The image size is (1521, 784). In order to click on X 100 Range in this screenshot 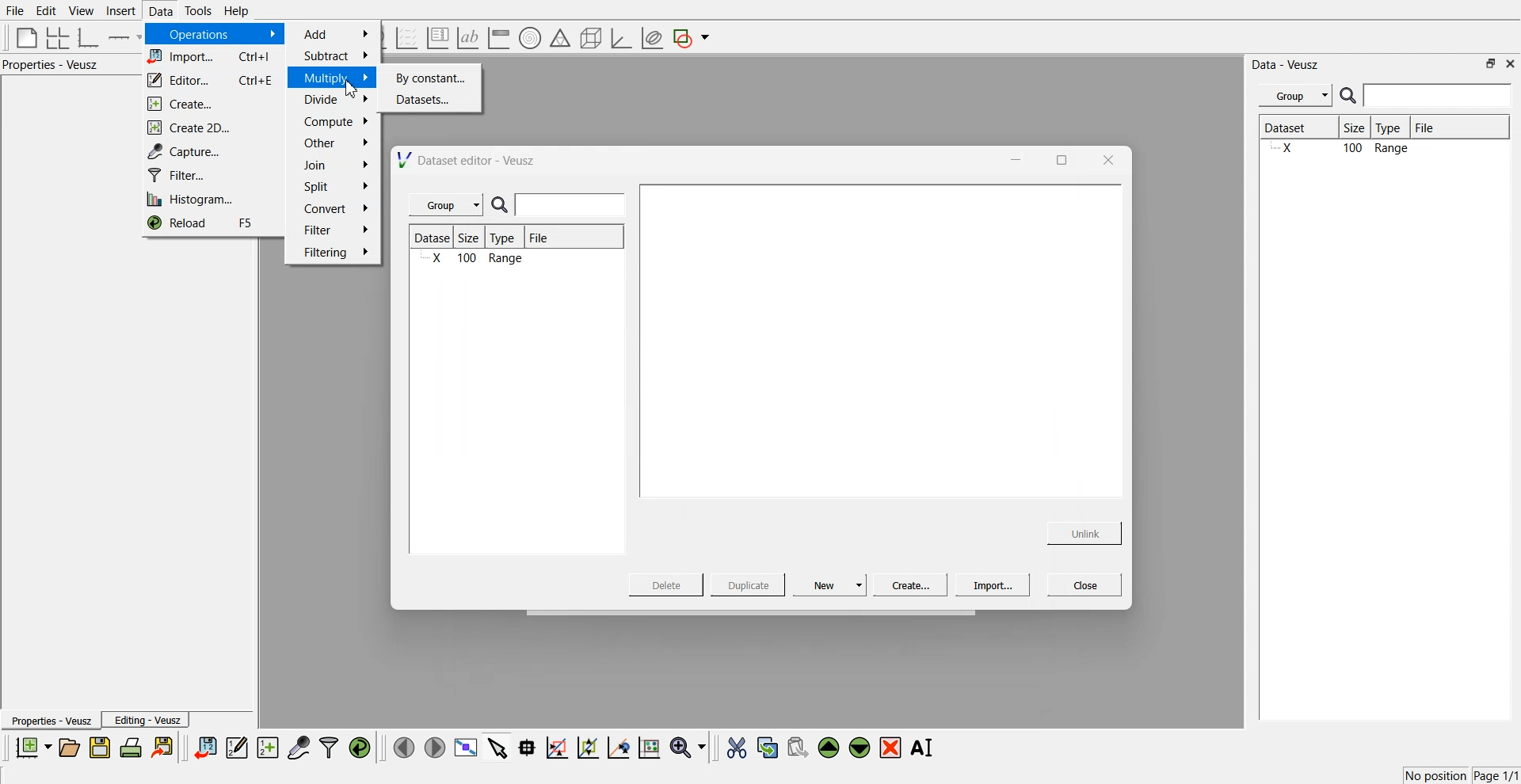, I will do `click(1382, 150)`.